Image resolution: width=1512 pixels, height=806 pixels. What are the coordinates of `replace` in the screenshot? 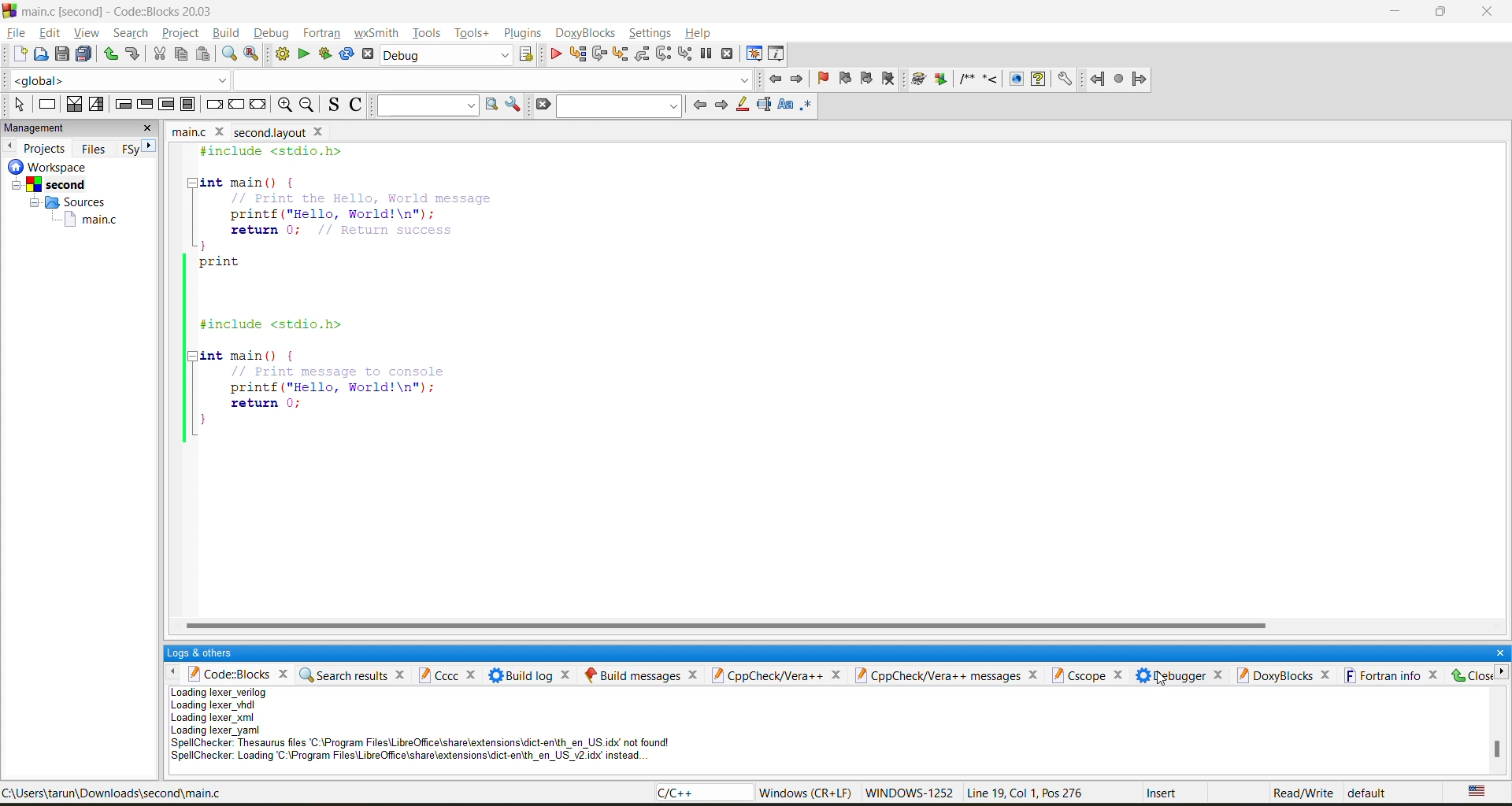 It's located at (250, 55).